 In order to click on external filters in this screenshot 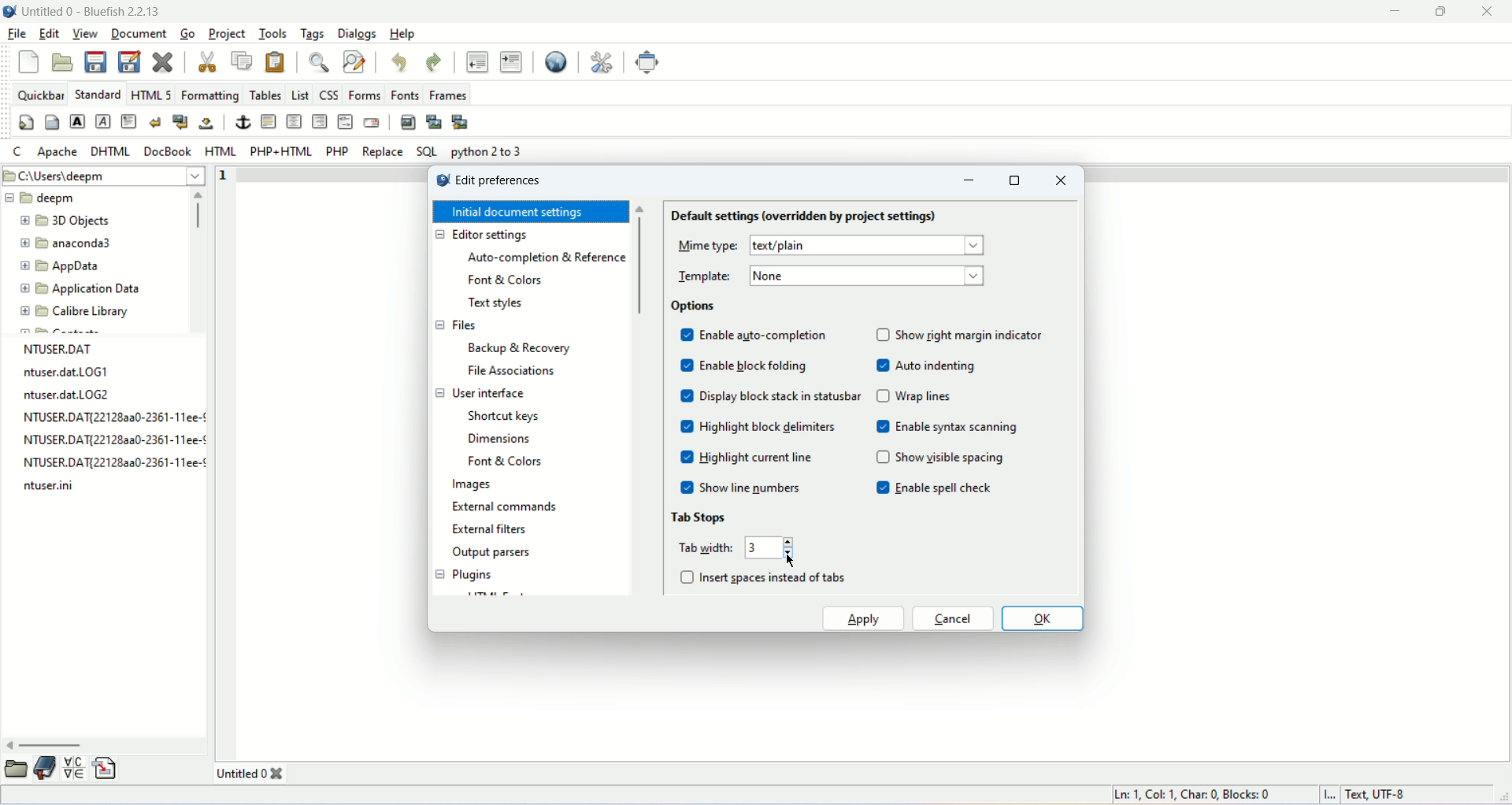, I will do `click(491, 529)`.